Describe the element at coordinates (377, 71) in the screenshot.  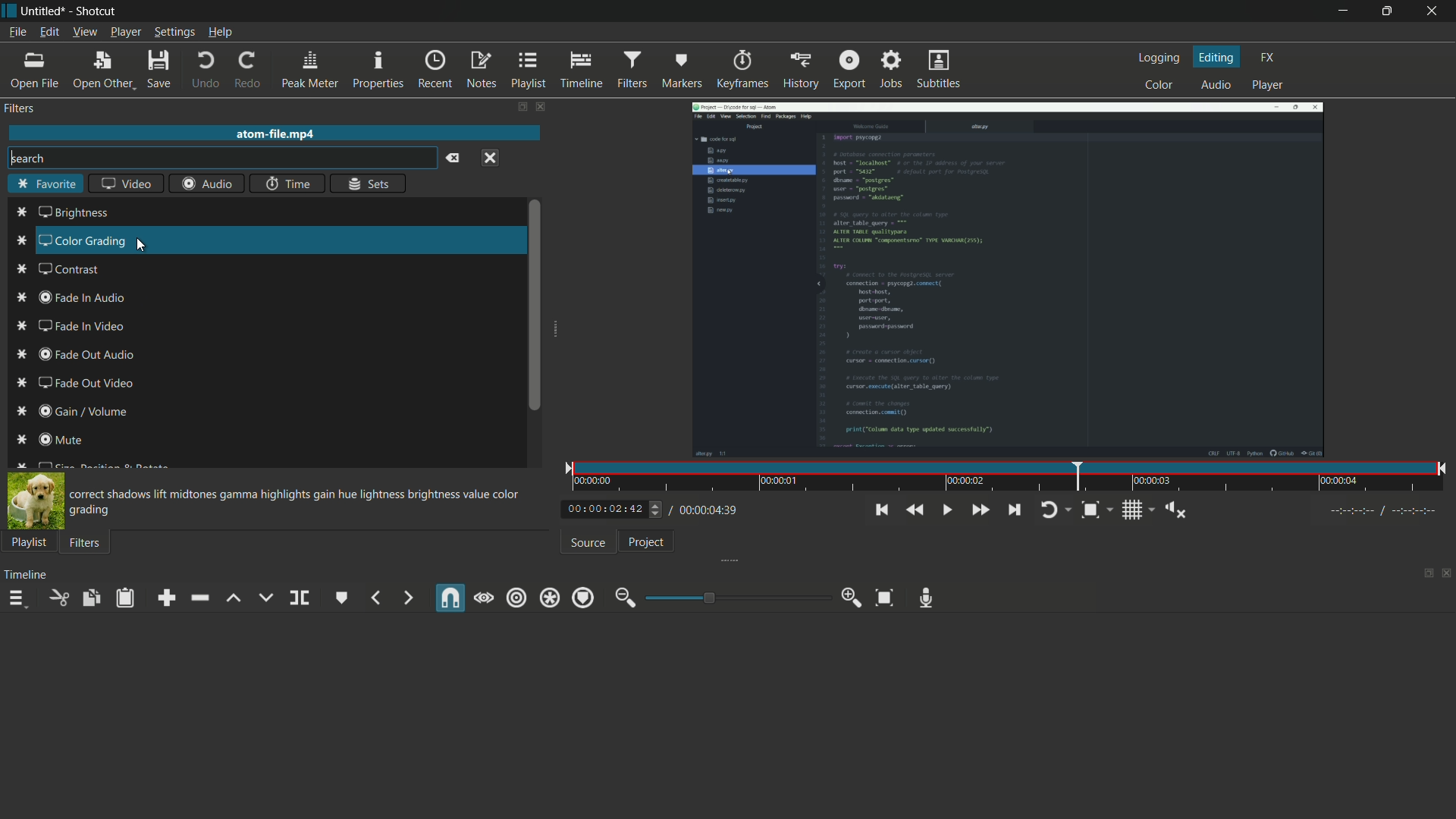
I see `properties` at that location.